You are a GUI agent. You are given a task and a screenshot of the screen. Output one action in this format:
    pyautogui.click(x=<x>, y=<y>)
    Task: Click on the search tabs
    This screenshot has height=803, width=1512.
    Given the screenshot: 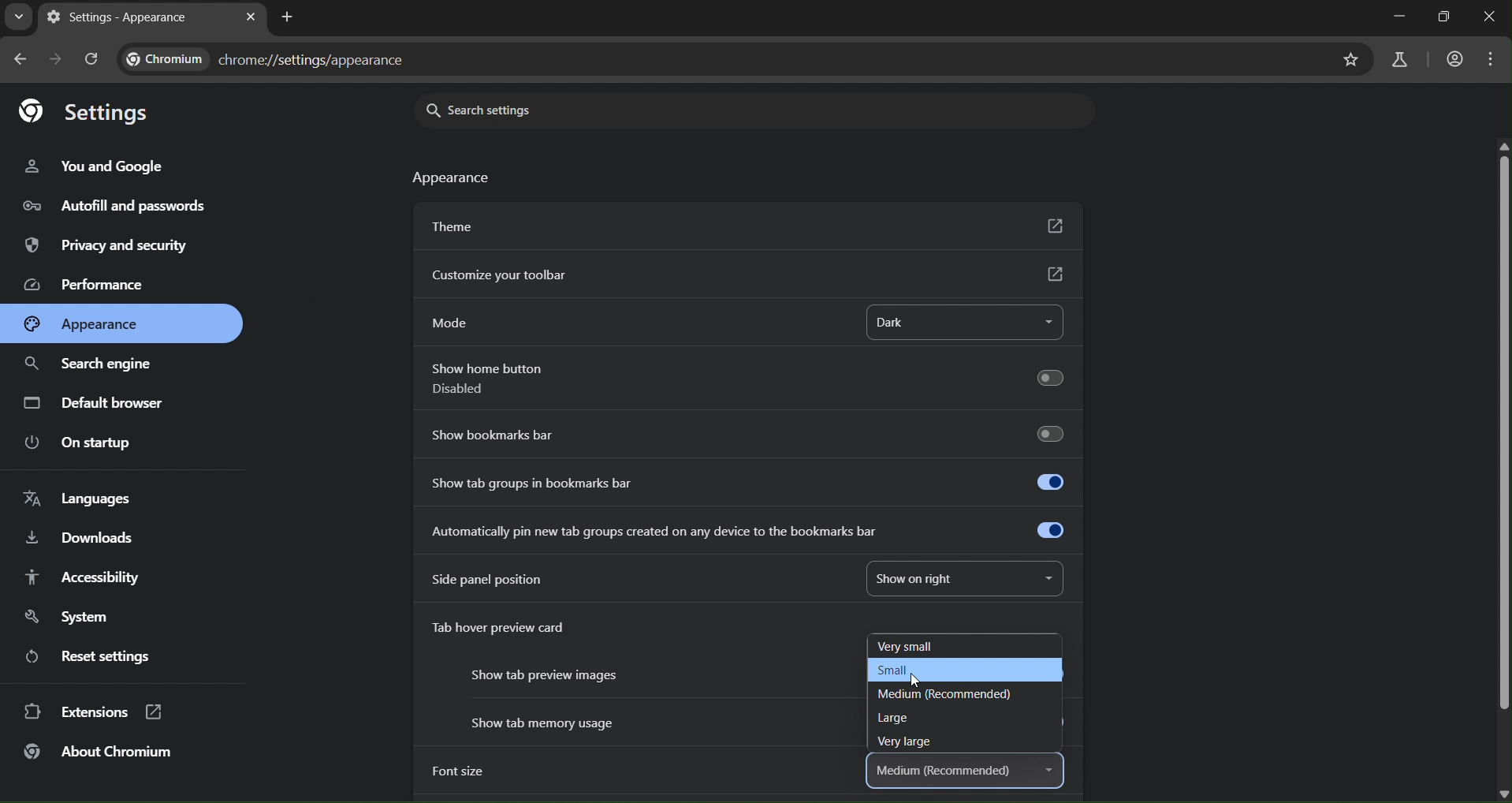 What is the action you would take?
    pyautogui.click(x=17, y=17)
    